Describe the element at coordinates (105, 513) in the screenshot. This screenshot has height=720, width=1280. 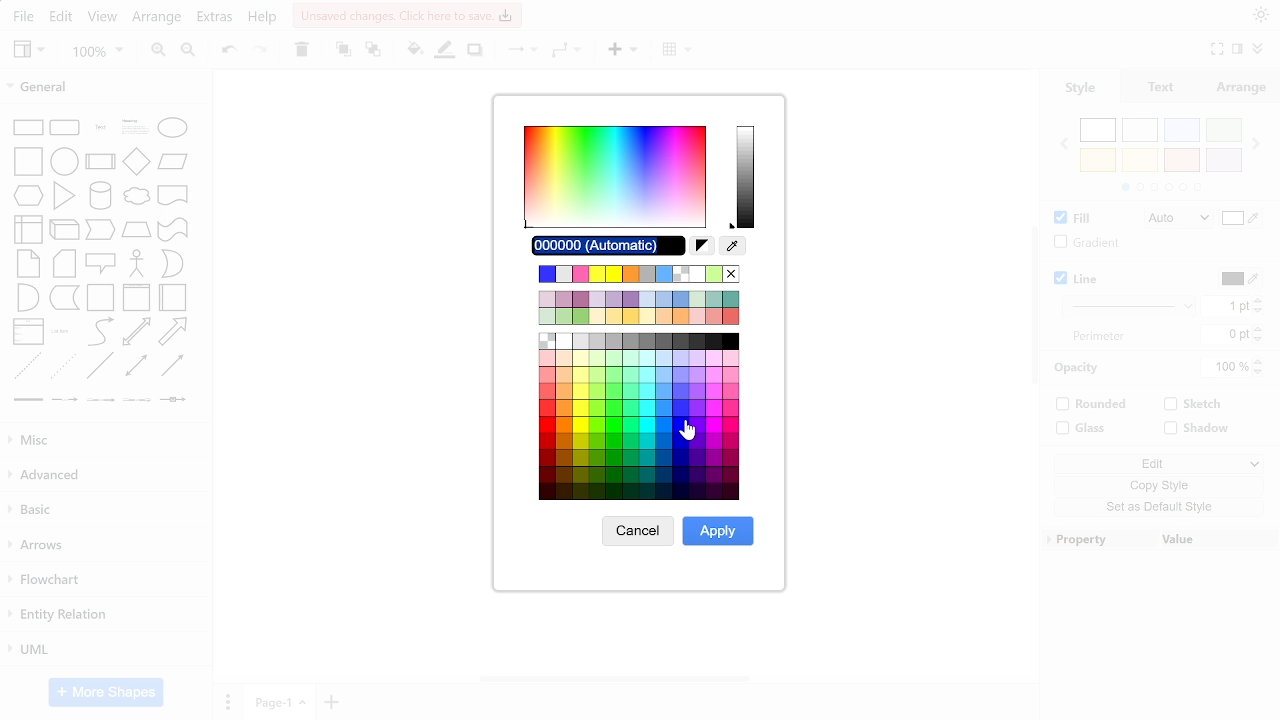
I see `basic` at that location.